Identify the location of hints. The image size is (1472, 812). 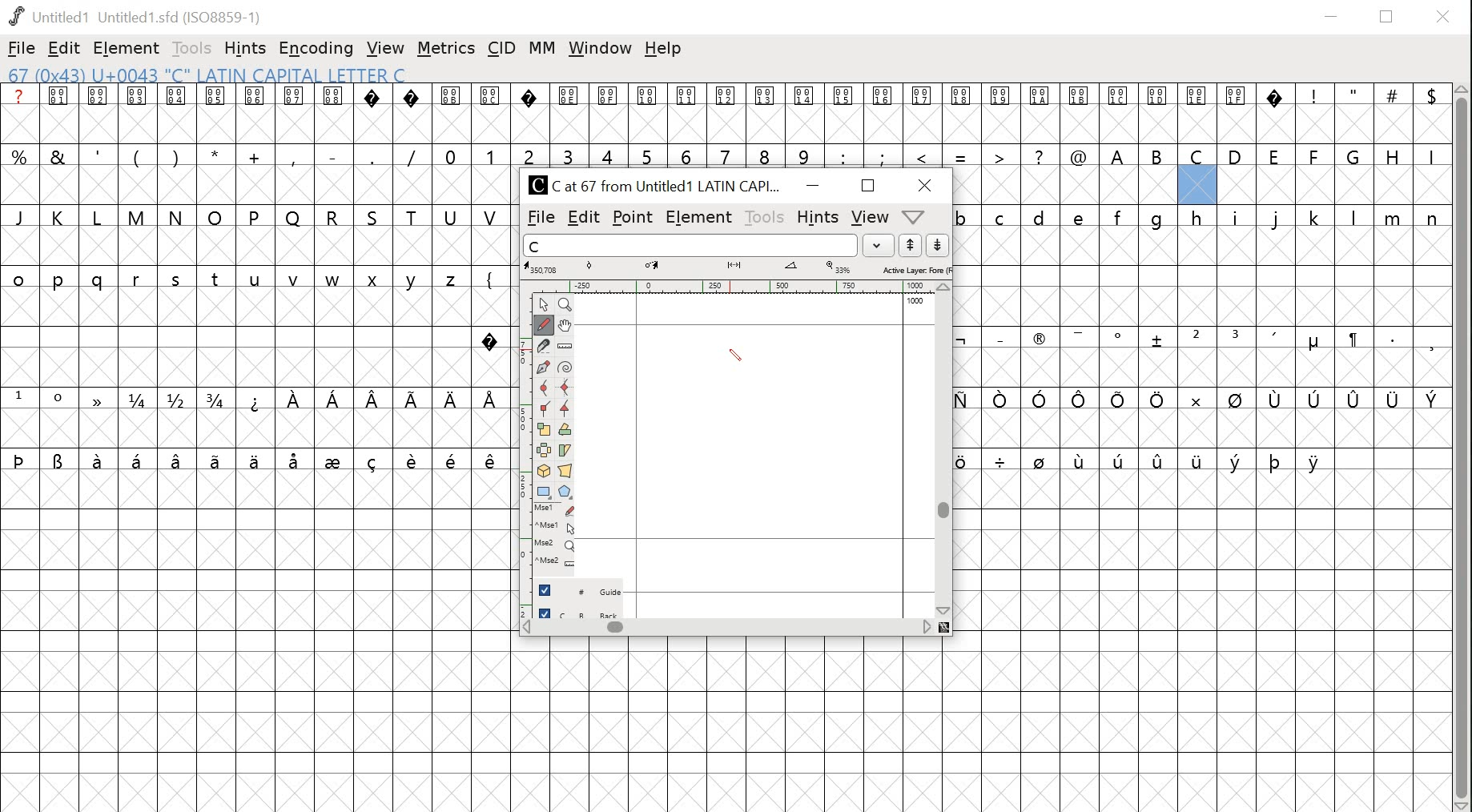
(816, 217).